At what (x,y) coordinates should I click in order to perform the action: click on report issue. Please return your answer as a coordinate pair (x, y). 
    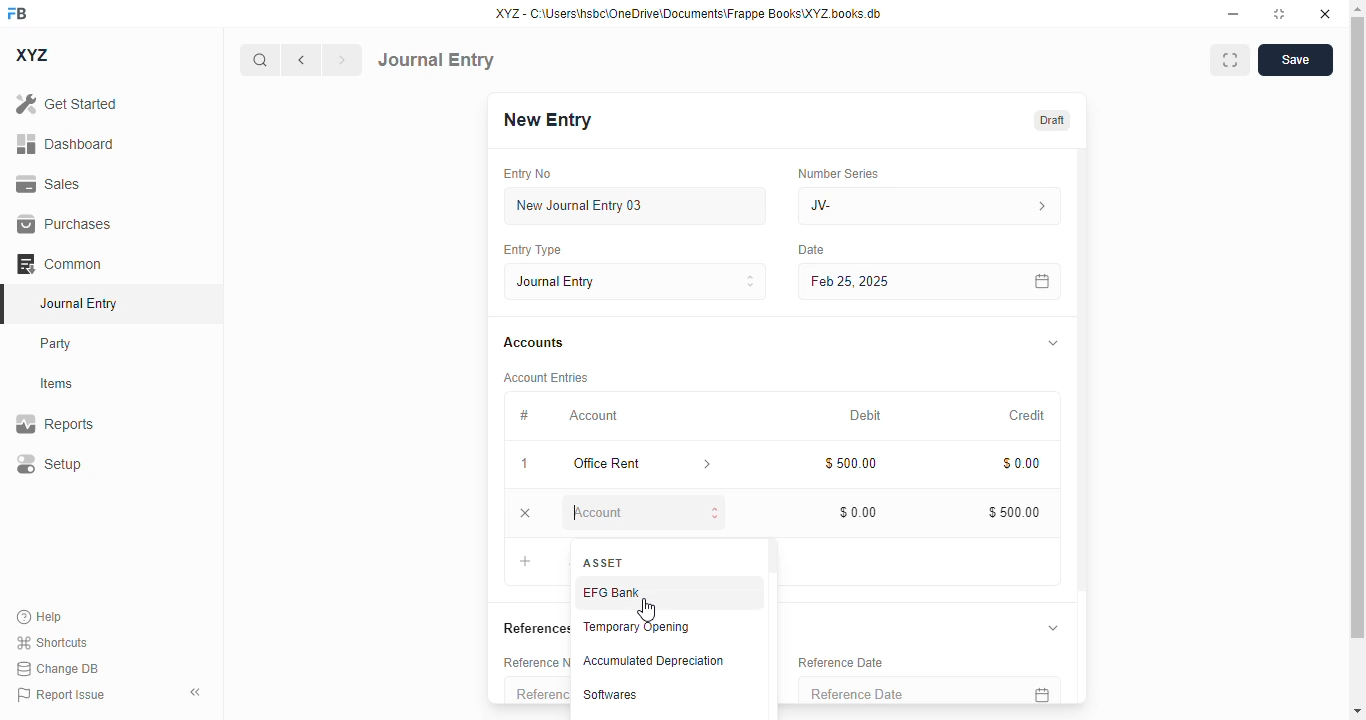
    Looking at the image, I should click on (61, 695).